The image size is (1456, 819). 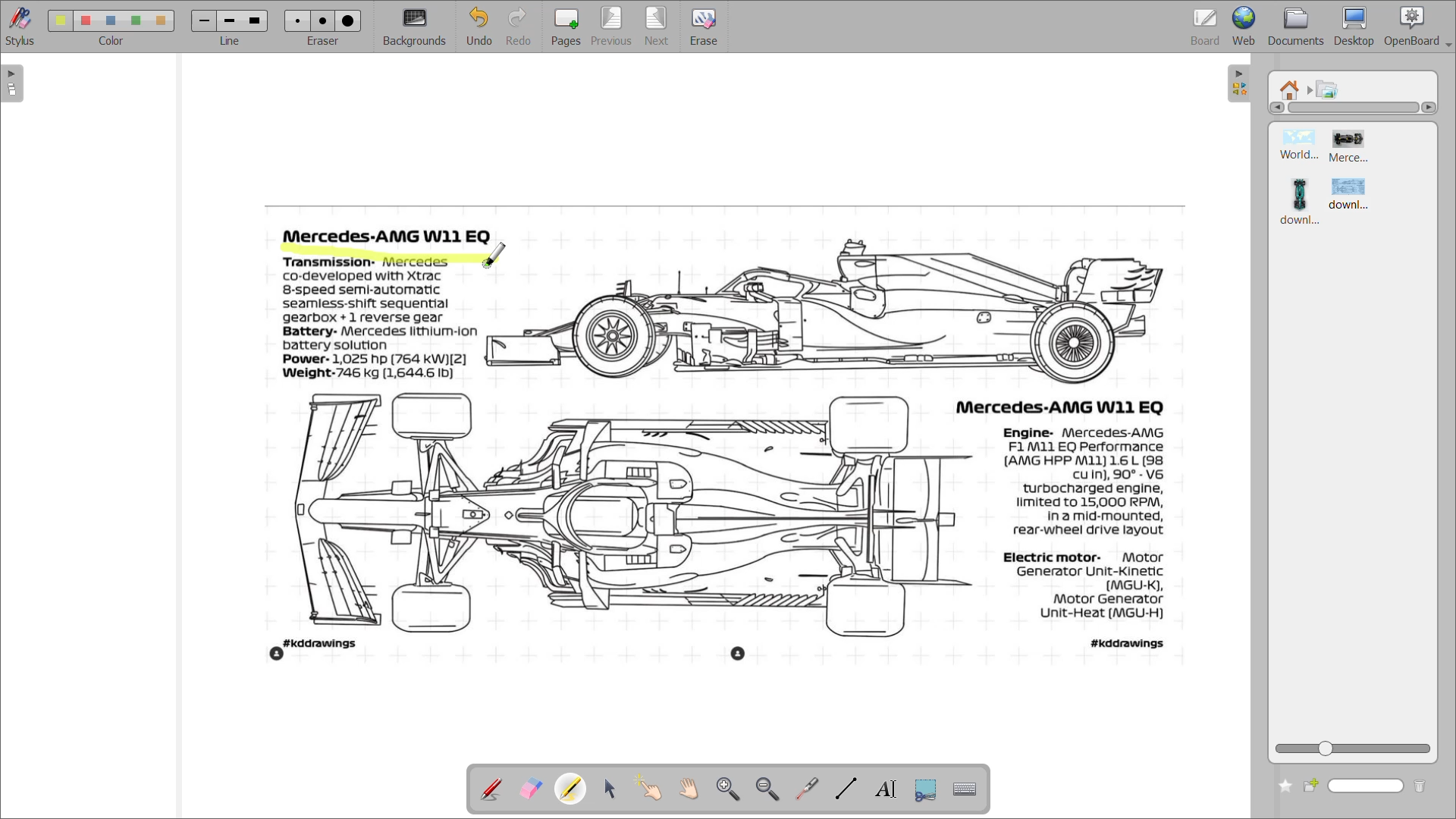 What do you see at coordinates (1298, 200) in the screenshot?
I see `image 3` at bounding box center [1298, 200].